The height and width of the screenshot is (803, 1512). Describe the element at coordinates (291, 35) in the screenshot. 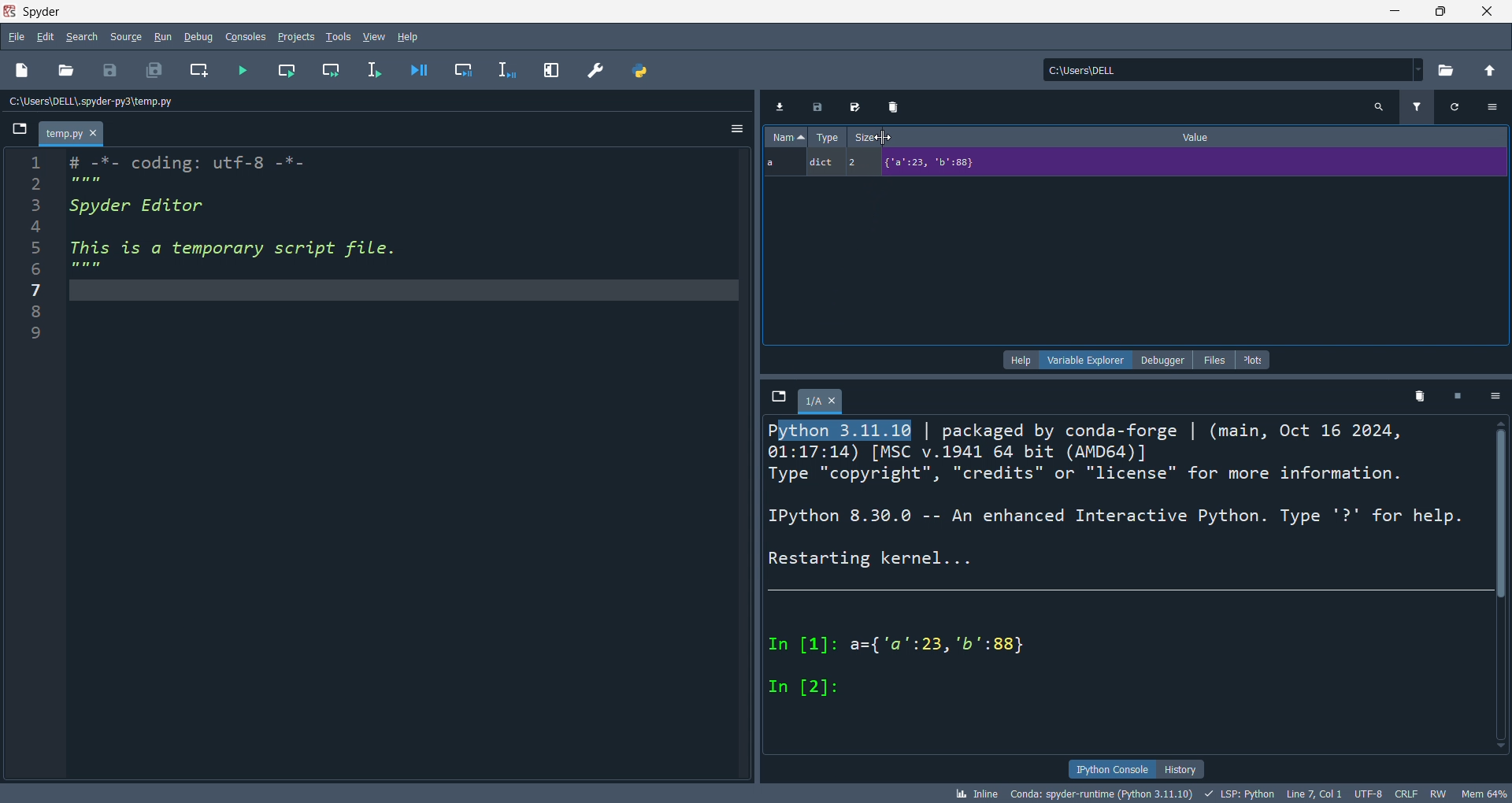

I see `projects` at that location.